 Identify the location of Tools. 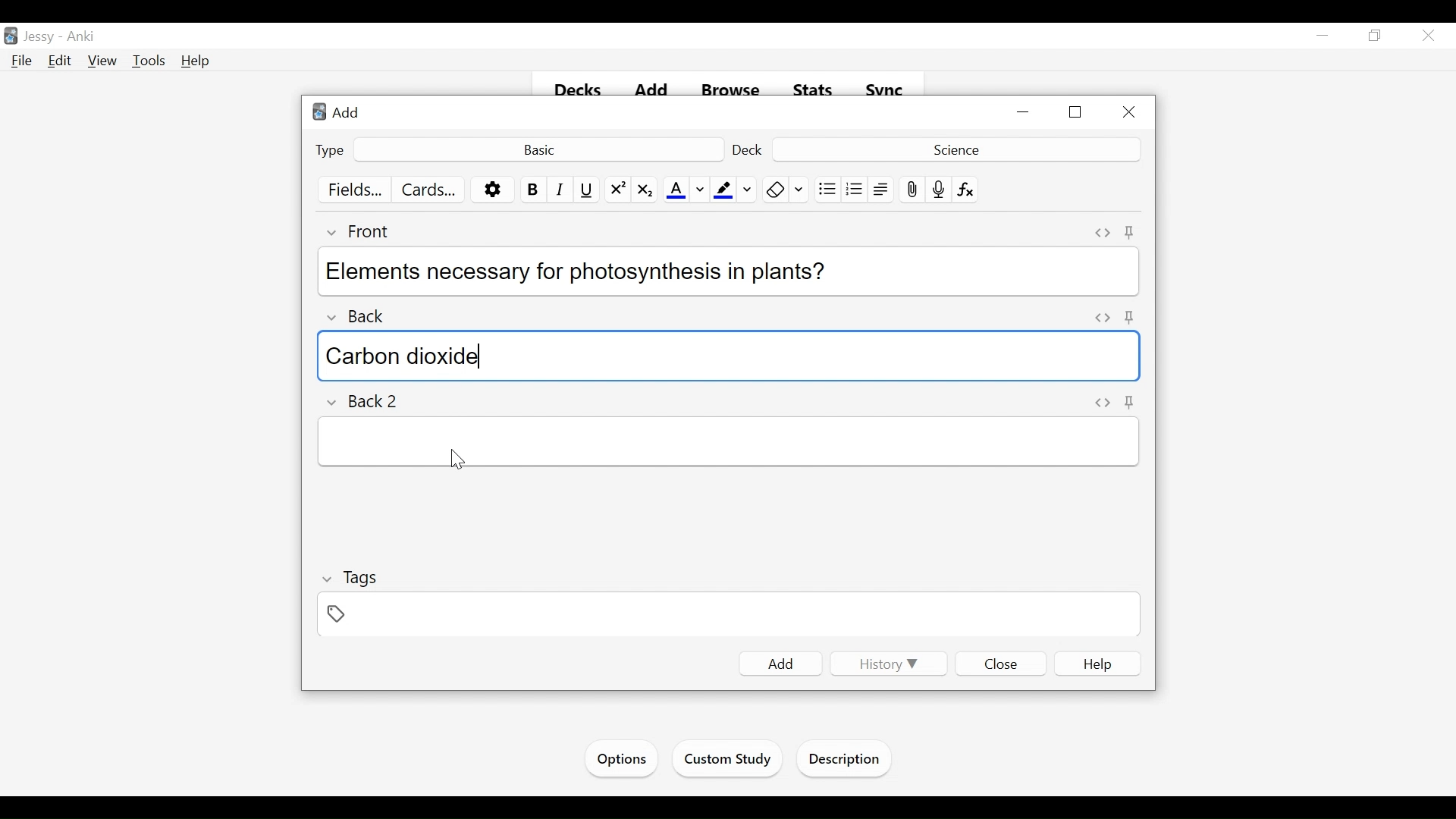
(149, 61).